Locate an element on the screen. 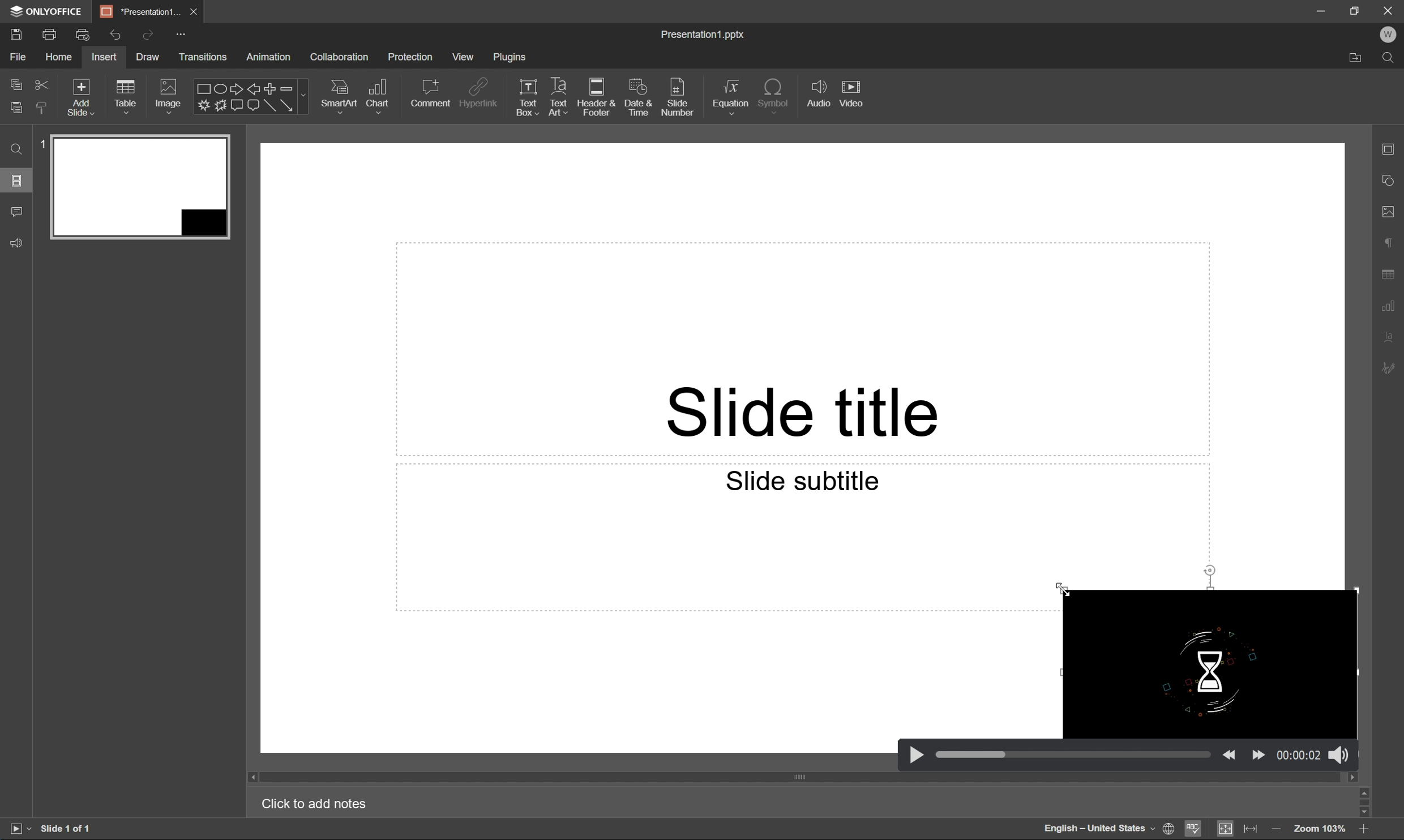  symbol is located at coordinates (776, 95).